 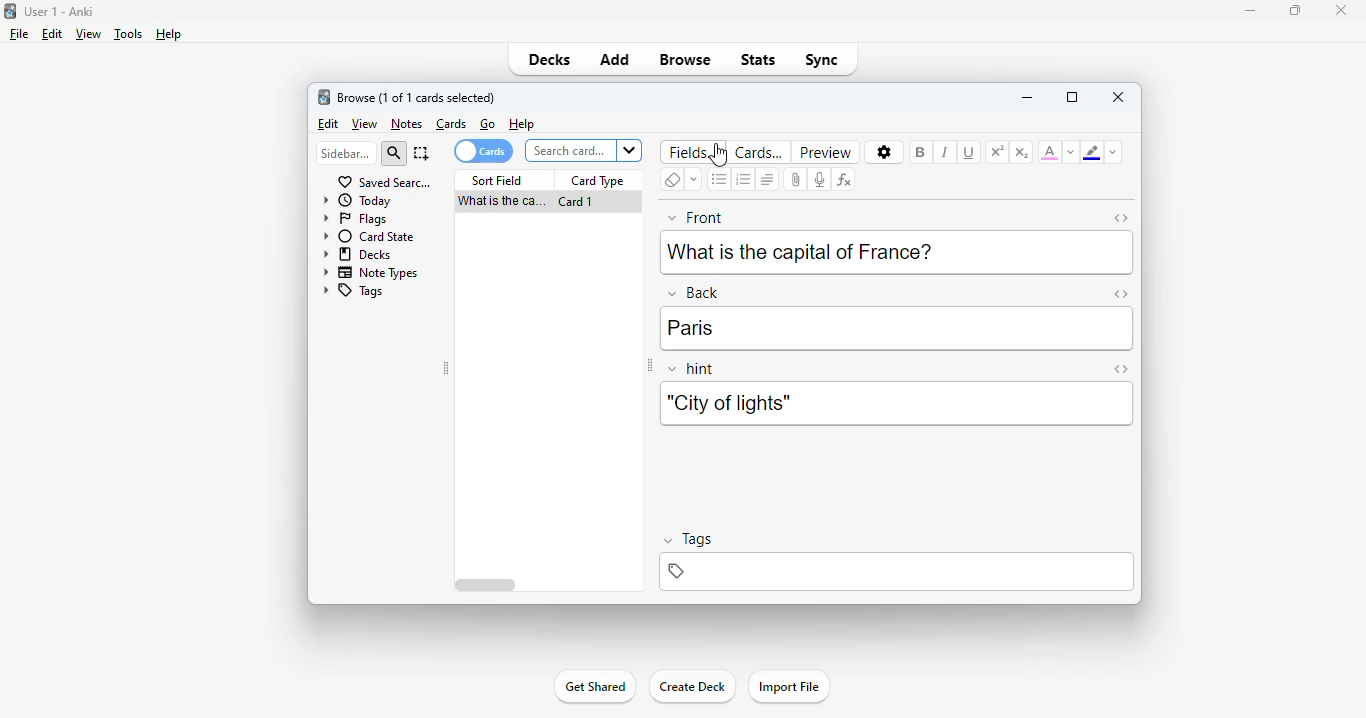 I want to click on select, so click(x=422, y=153).